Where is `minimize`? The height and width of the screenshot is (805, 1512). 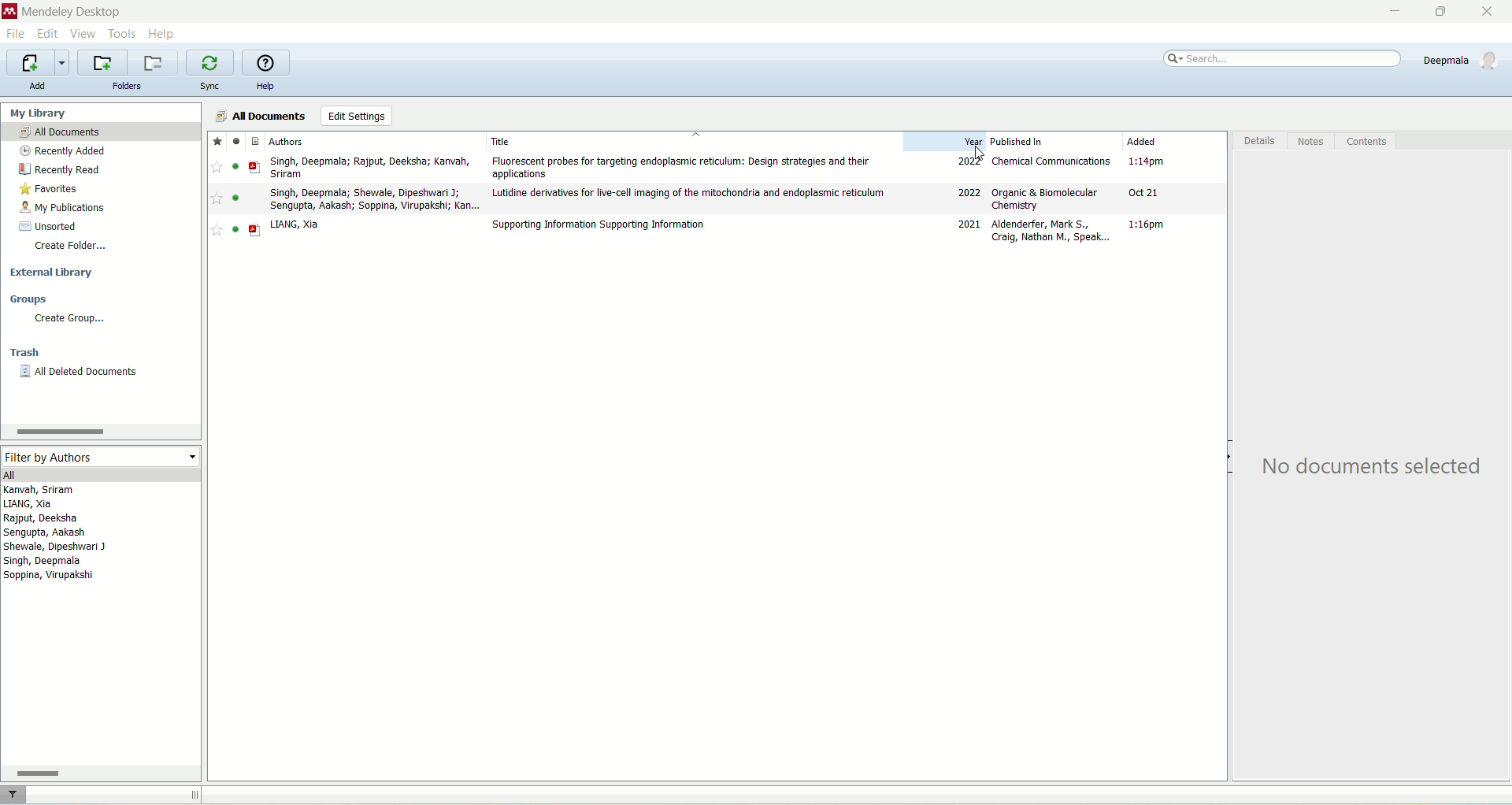
minimize is located at coordinates (1398, 10).